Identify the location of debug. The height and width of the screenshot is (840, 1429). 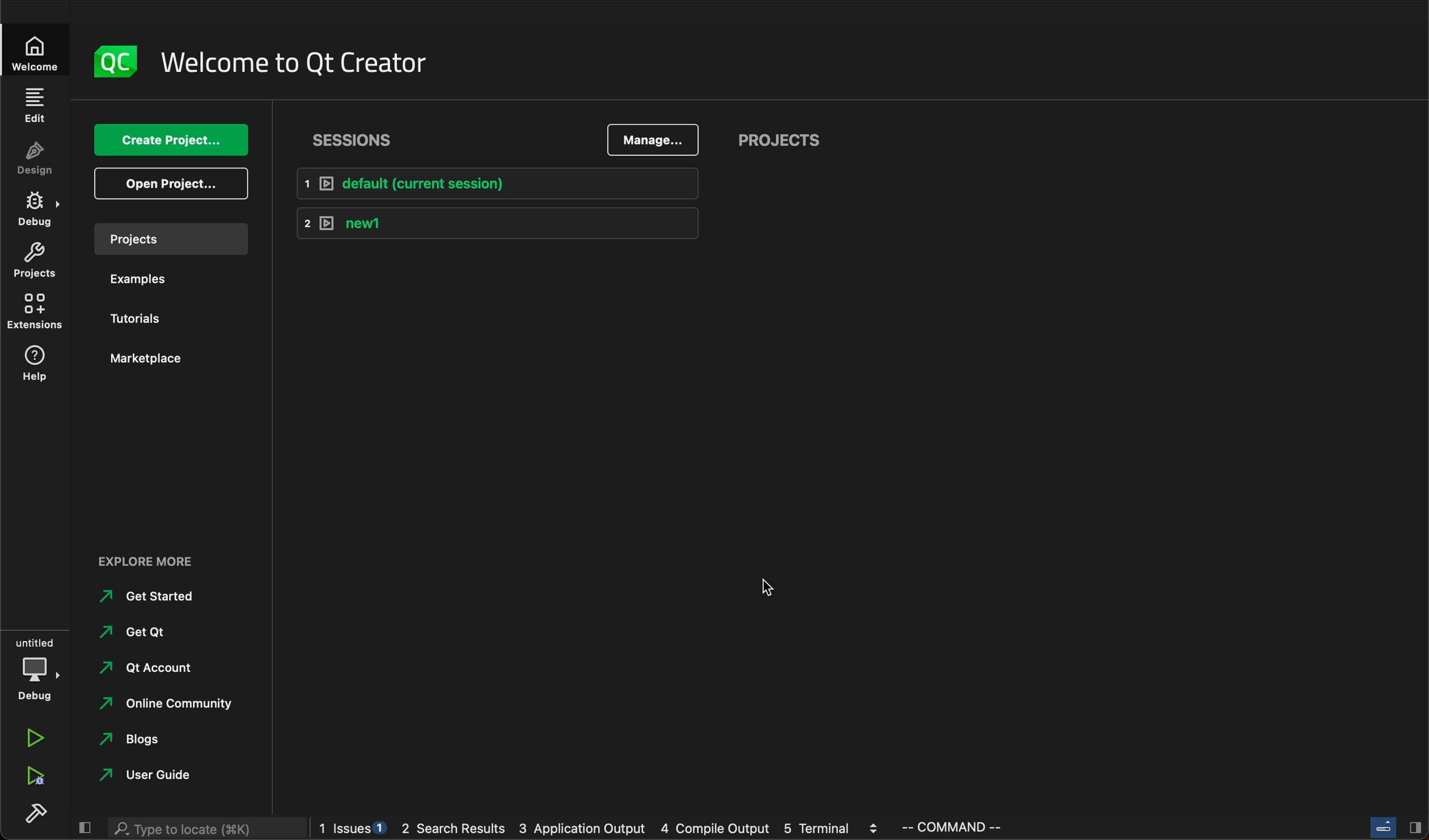
(36, 210).